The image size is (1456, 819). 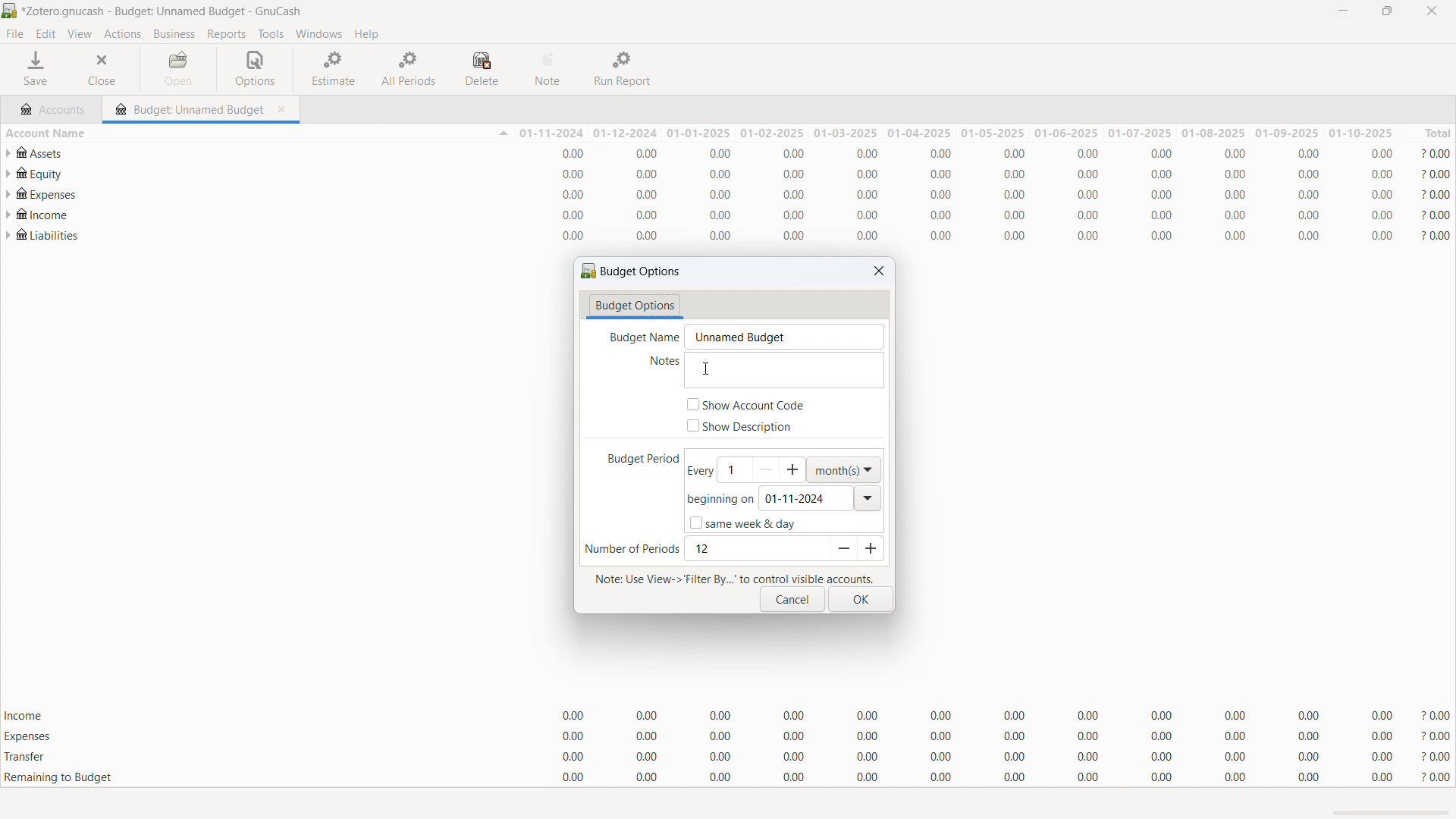 I want to click on budget options, so click(x=635, y=306).